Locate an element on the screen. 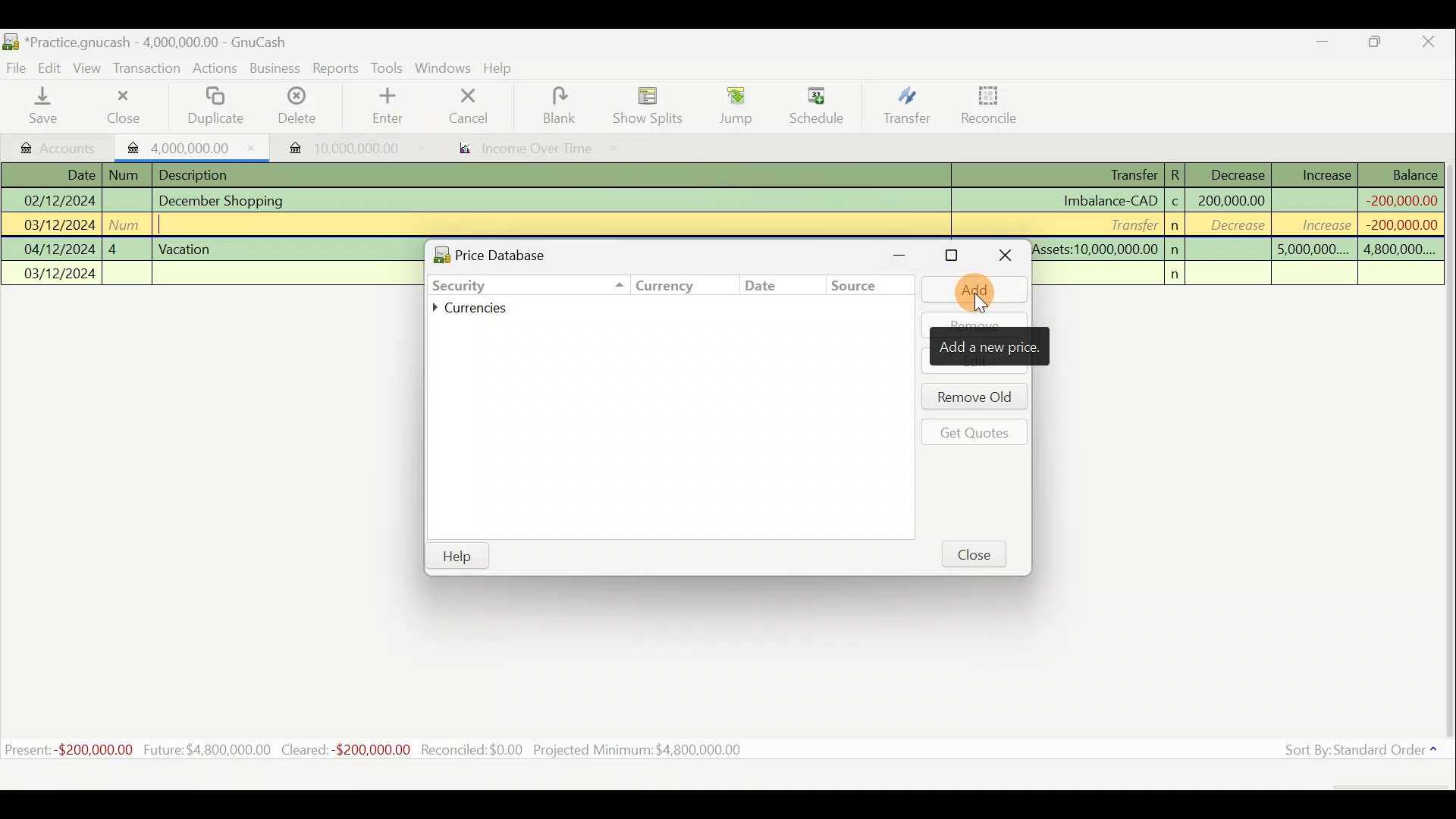 The width and height of the screenshot is (1456, 819). c is located at coordinates (1175, 203).